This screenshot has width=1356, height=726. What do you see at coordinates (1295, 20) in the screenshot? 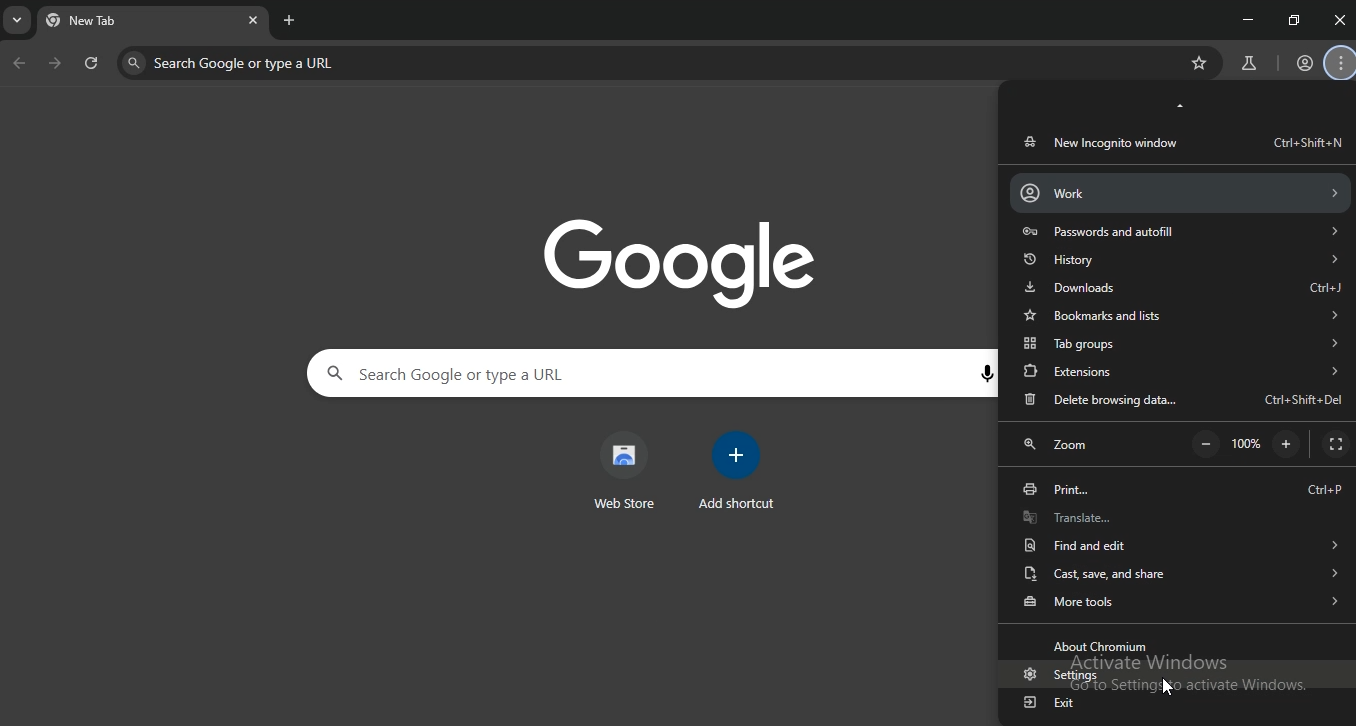
I see `restore windows` at bounding box center [1295, 20].